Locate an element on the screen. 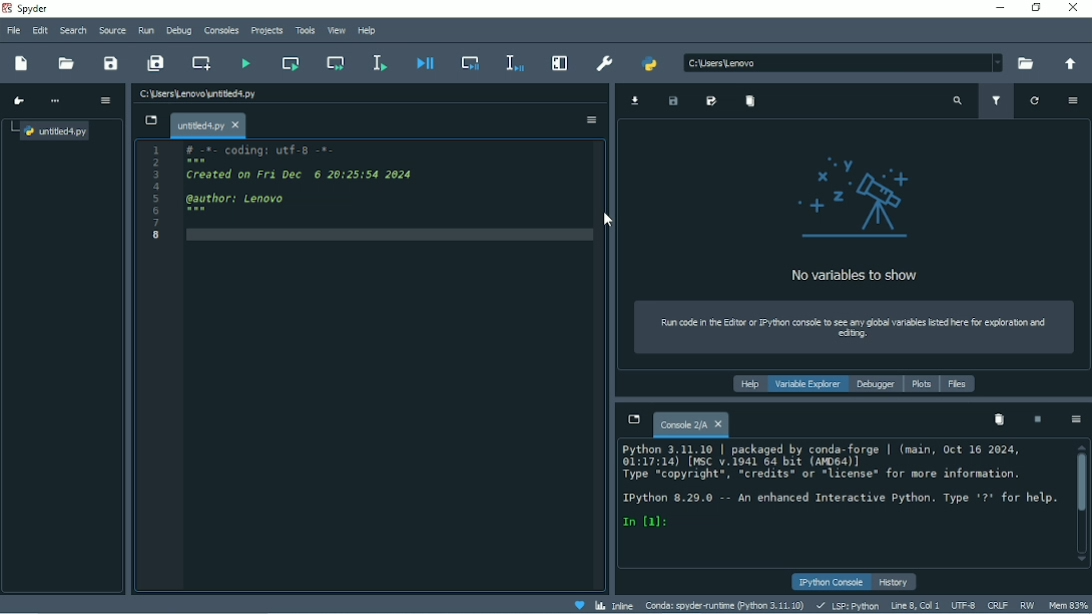 Image resolution: width=1092 pixels, height=614 pixels. Plots is located at coordinates (923, 385).